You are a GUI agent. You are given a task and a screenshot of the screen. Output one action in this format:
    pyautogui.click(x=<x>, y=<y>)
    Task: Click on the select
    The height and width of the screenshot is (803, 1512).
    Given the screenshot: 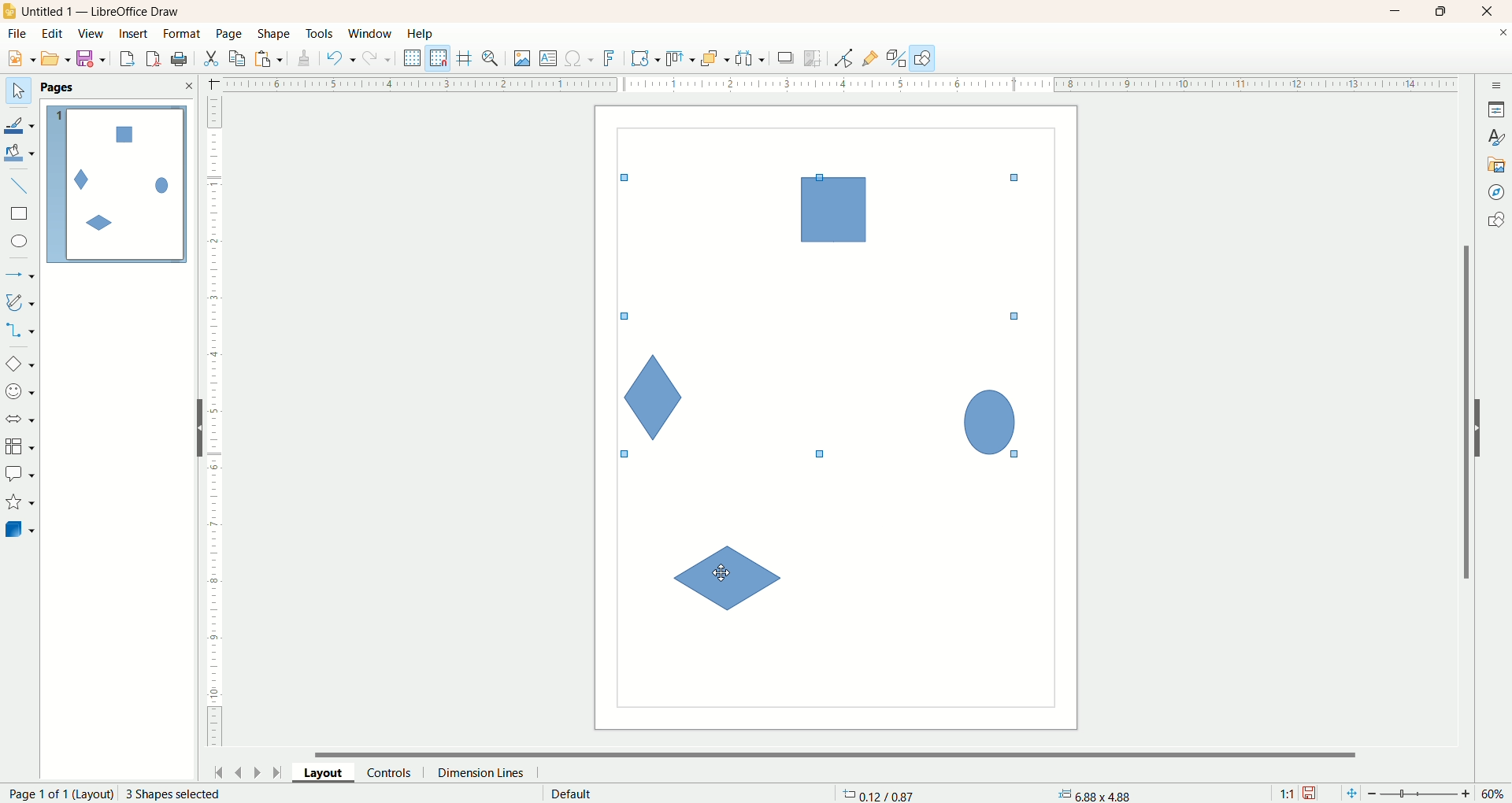 What is the action you would take?
    pyautogui.click(x=18, y=91)
    